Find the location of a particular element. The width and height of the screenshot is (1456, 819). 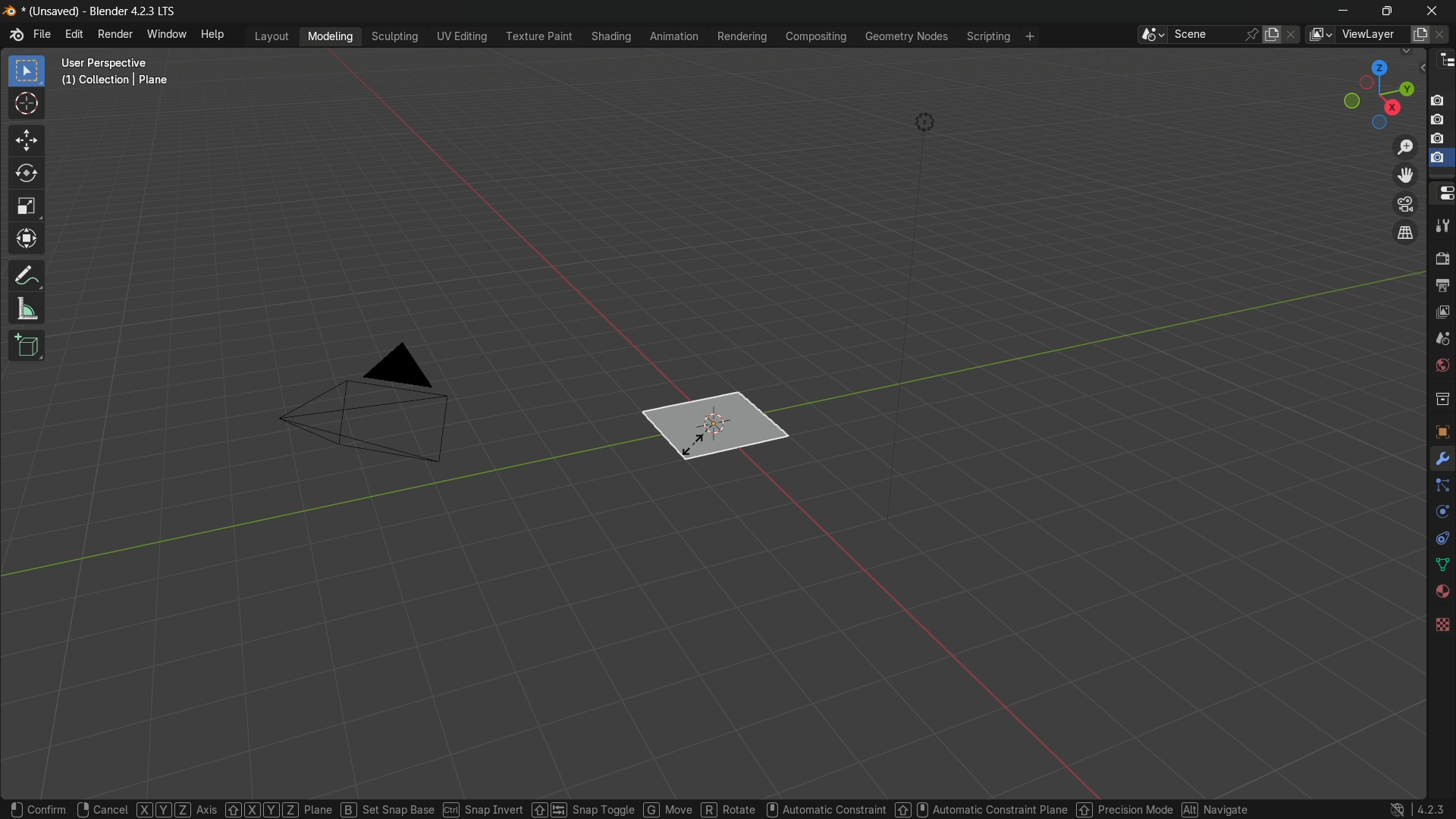

measure is located at coordinates (28, 312).